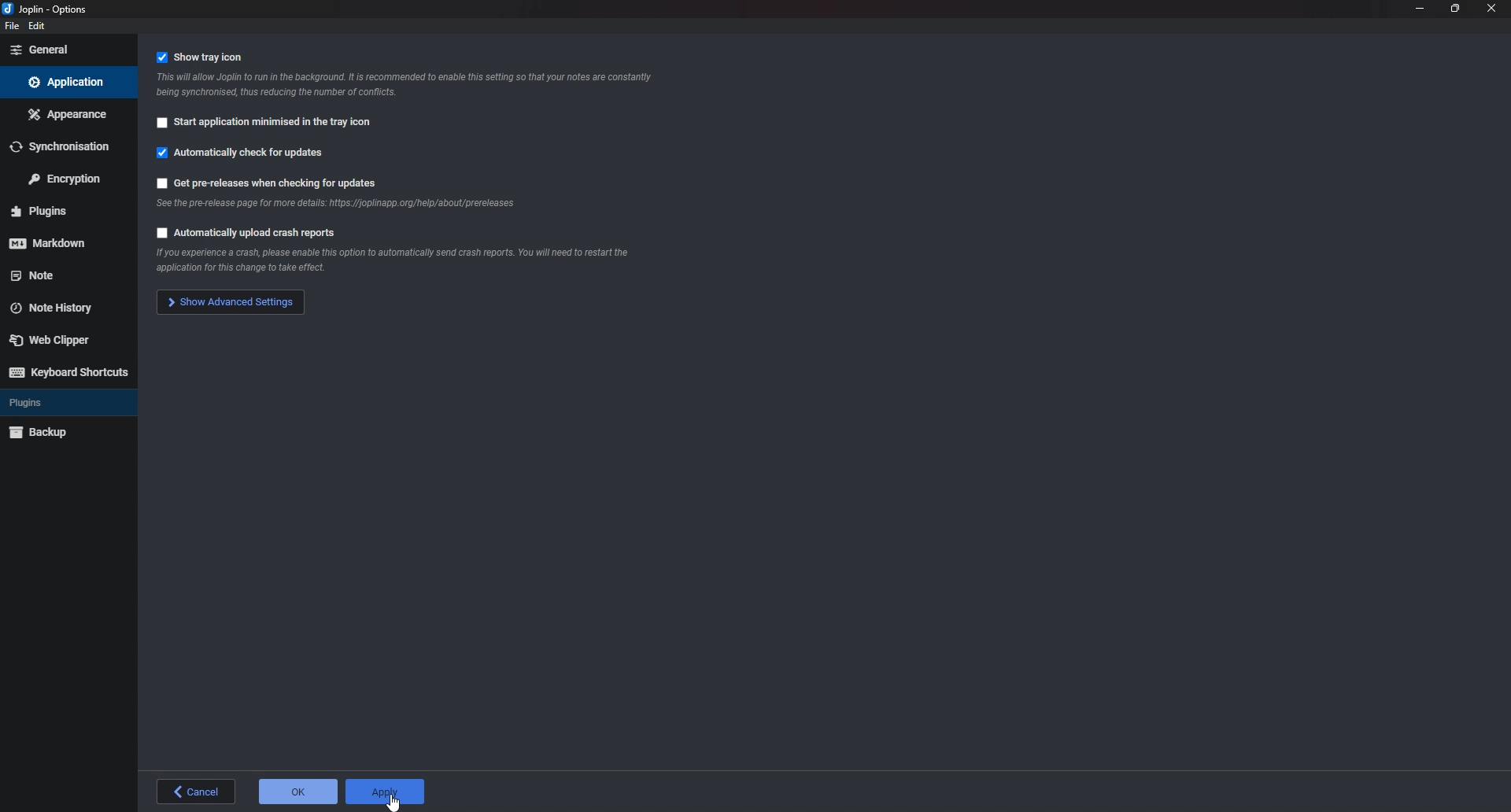  I want to click on Appearance, so click(67, 113).